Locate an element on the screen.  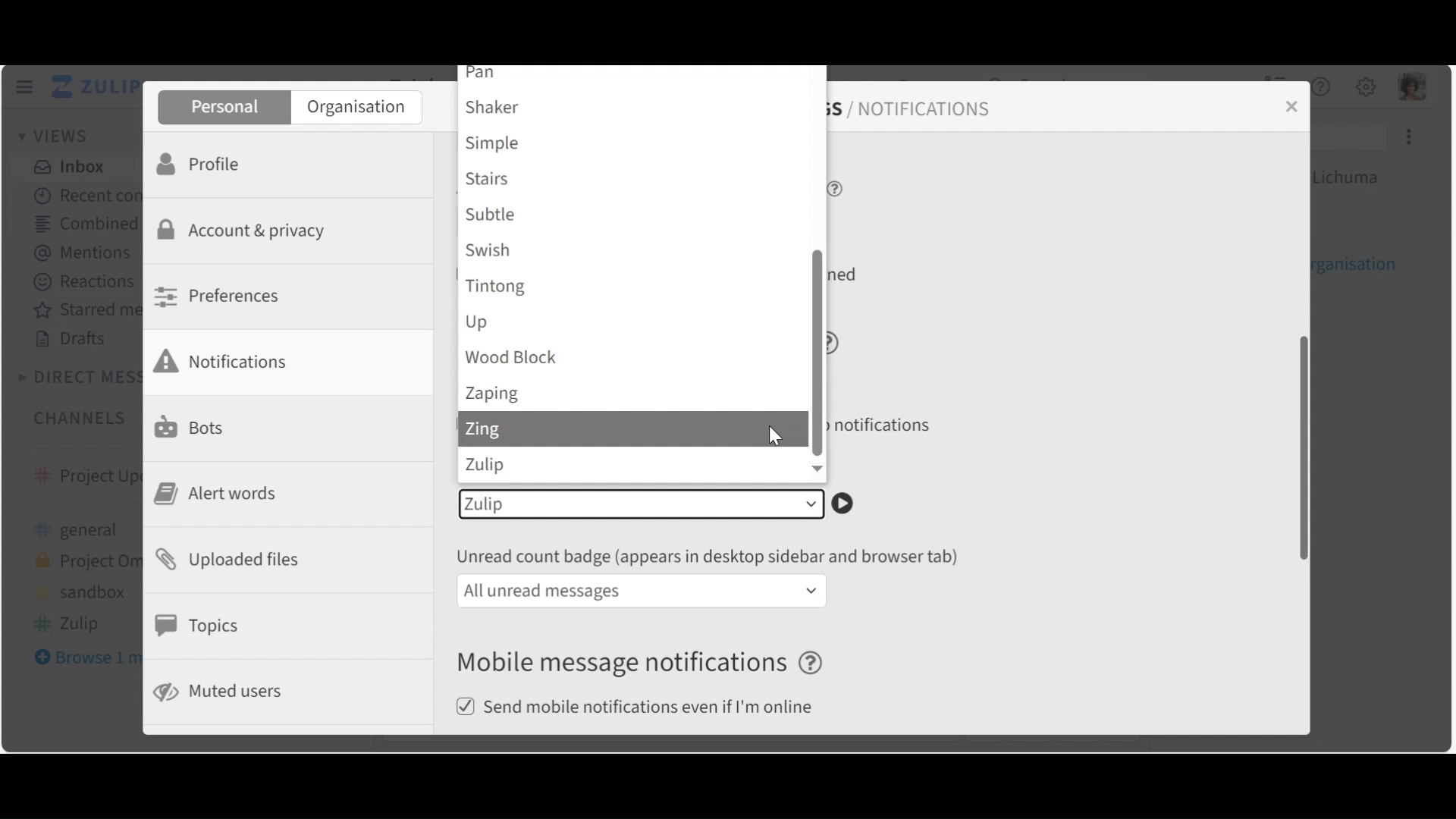
Subtle is located at coordinates (635, 215).